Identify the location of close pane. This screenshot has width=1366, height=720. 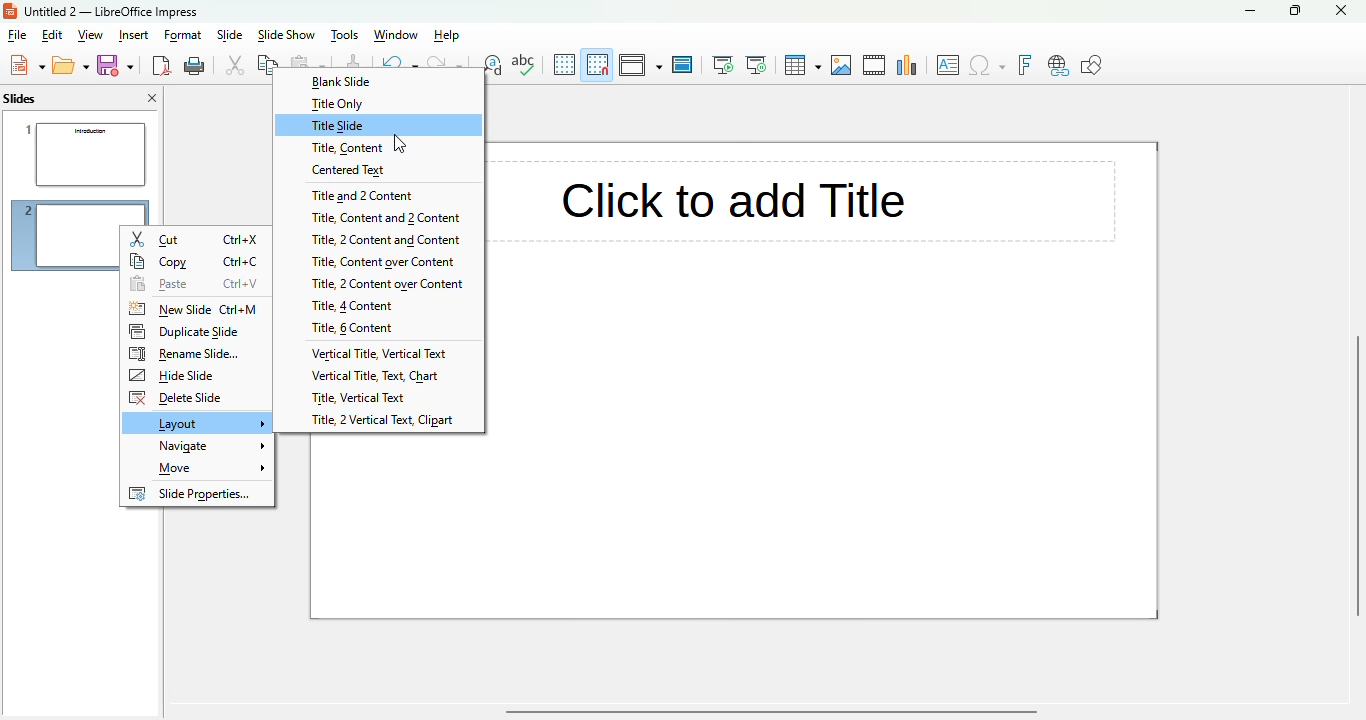
(152, 97).